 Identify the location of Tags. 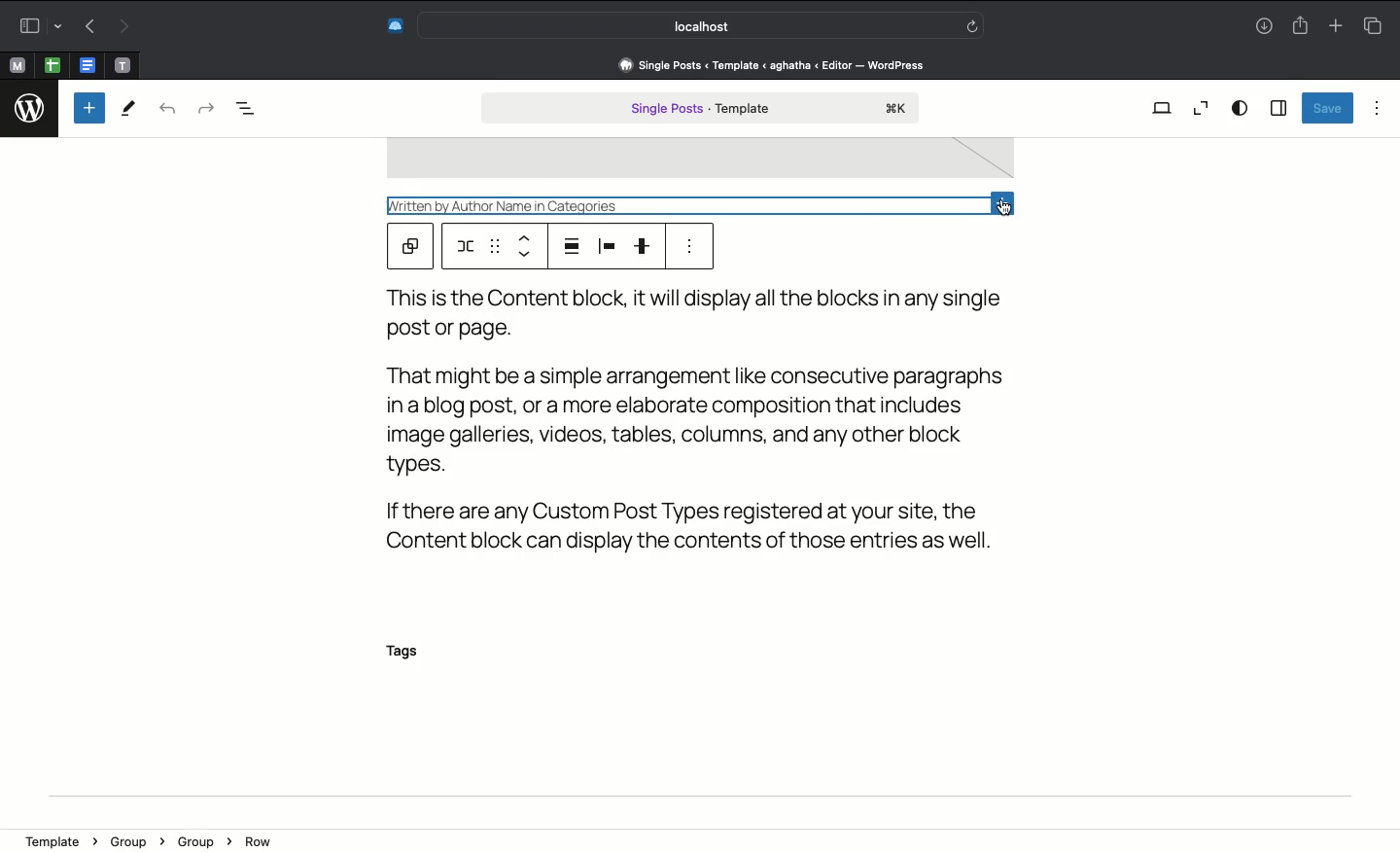
(413, 653).